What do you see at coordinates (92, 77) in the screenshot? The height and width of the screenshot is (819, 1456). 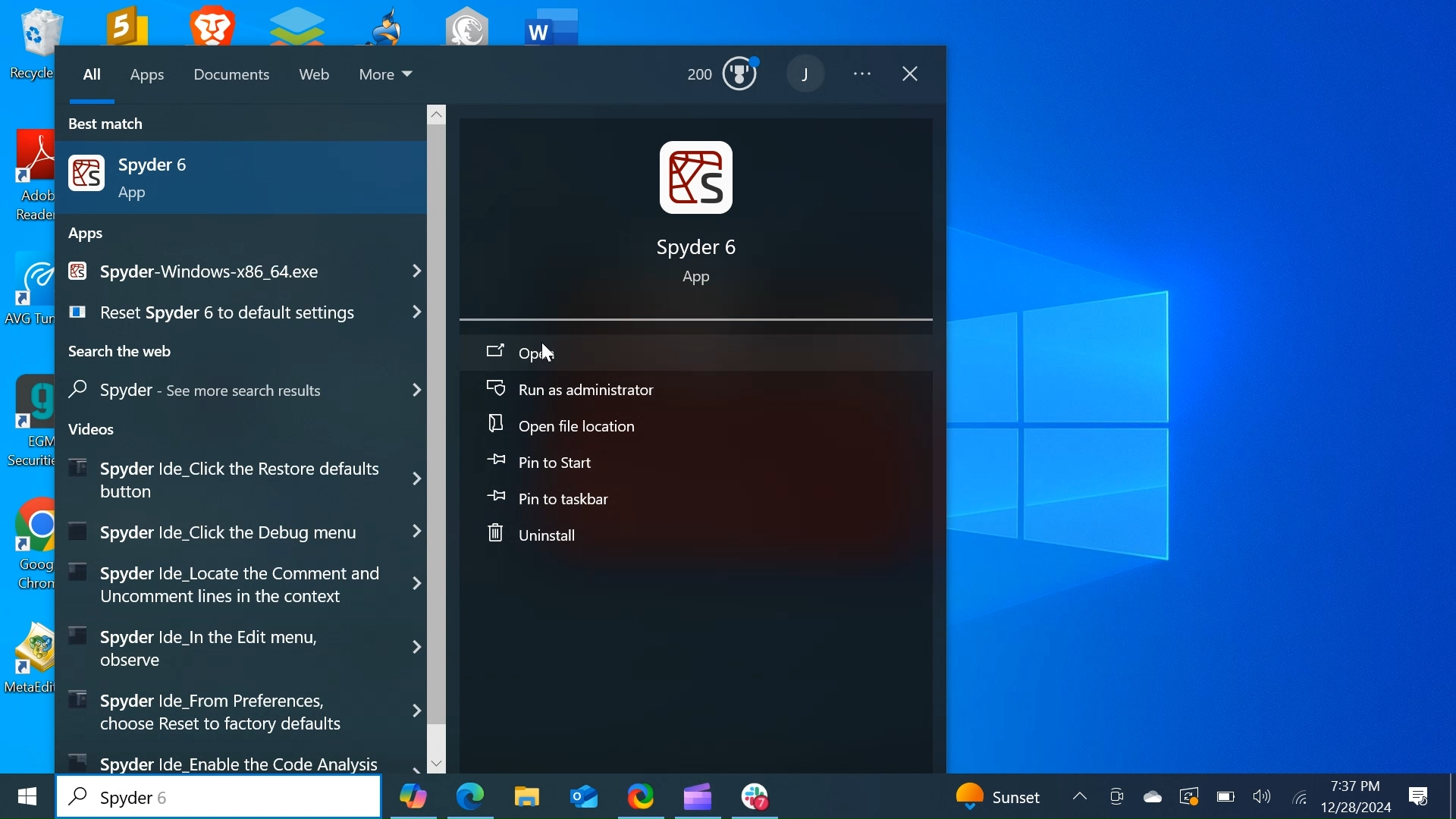 I see `All` at bounding box center [92, 77].